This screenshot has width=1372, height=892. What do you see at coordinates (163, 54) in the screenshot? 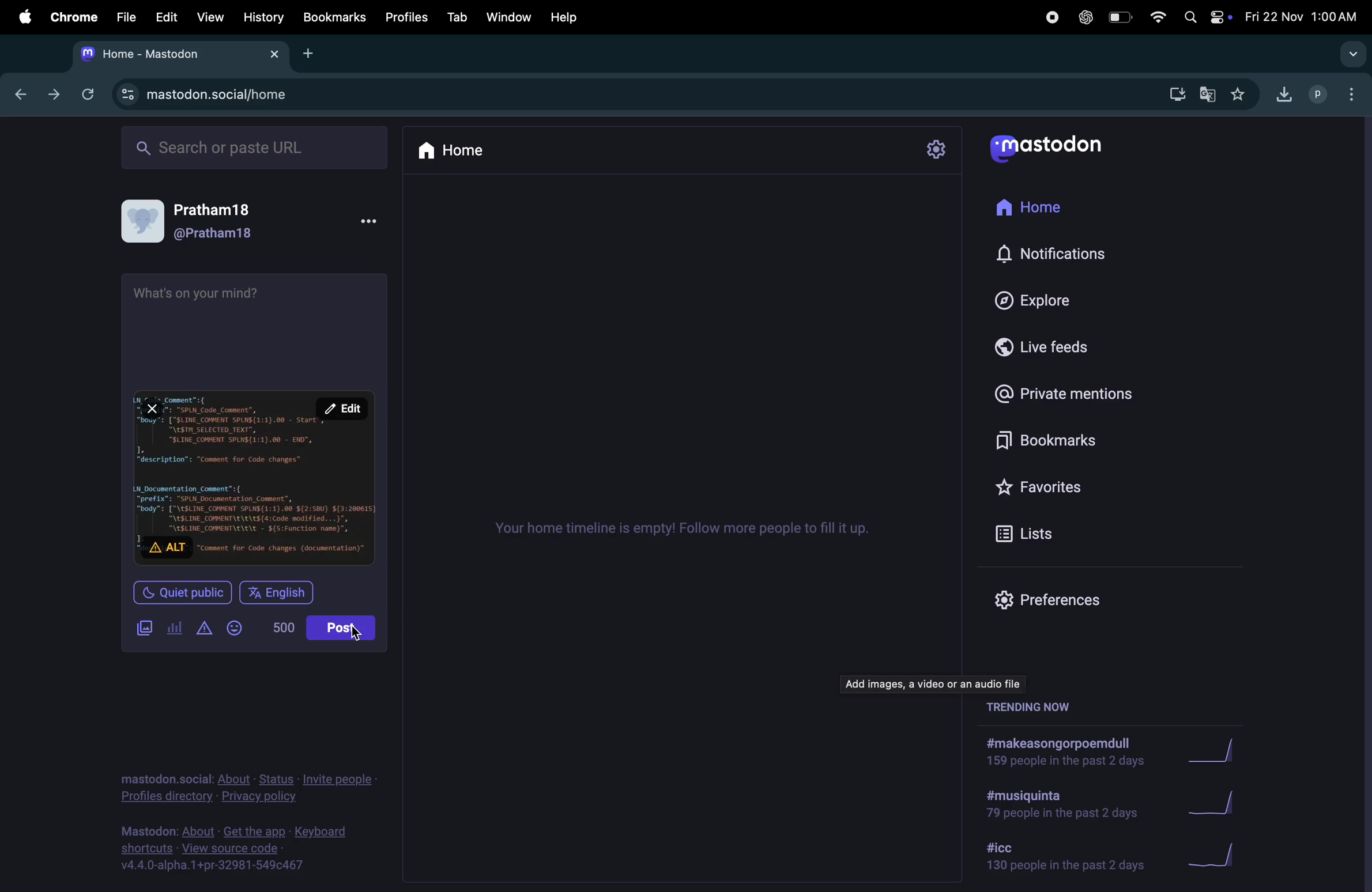
I see `tab mastodon` at bounding box center [163, 54].